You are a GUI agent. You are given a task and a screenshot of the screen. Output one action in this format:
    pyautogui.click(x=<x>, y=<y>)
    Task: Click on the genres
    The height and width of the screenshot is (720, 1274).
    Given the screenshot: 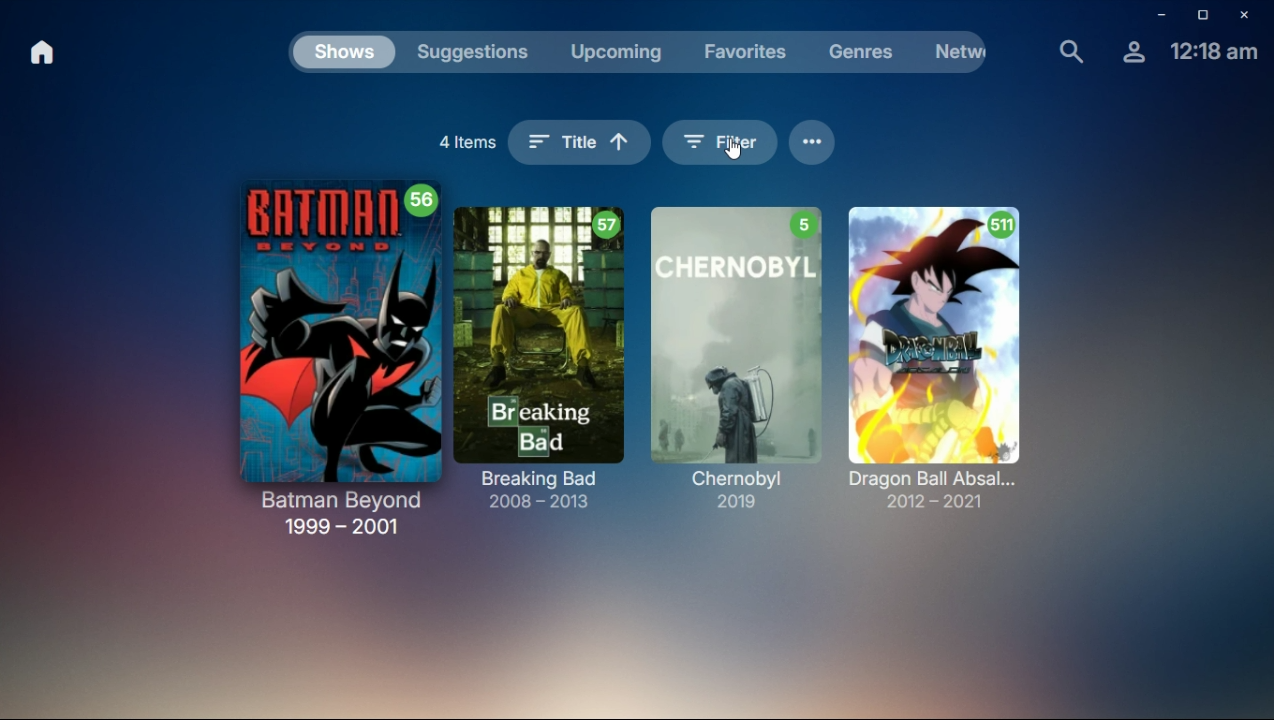 What is the action you would take?
    pyautogui.click(x=866, y=51)
    